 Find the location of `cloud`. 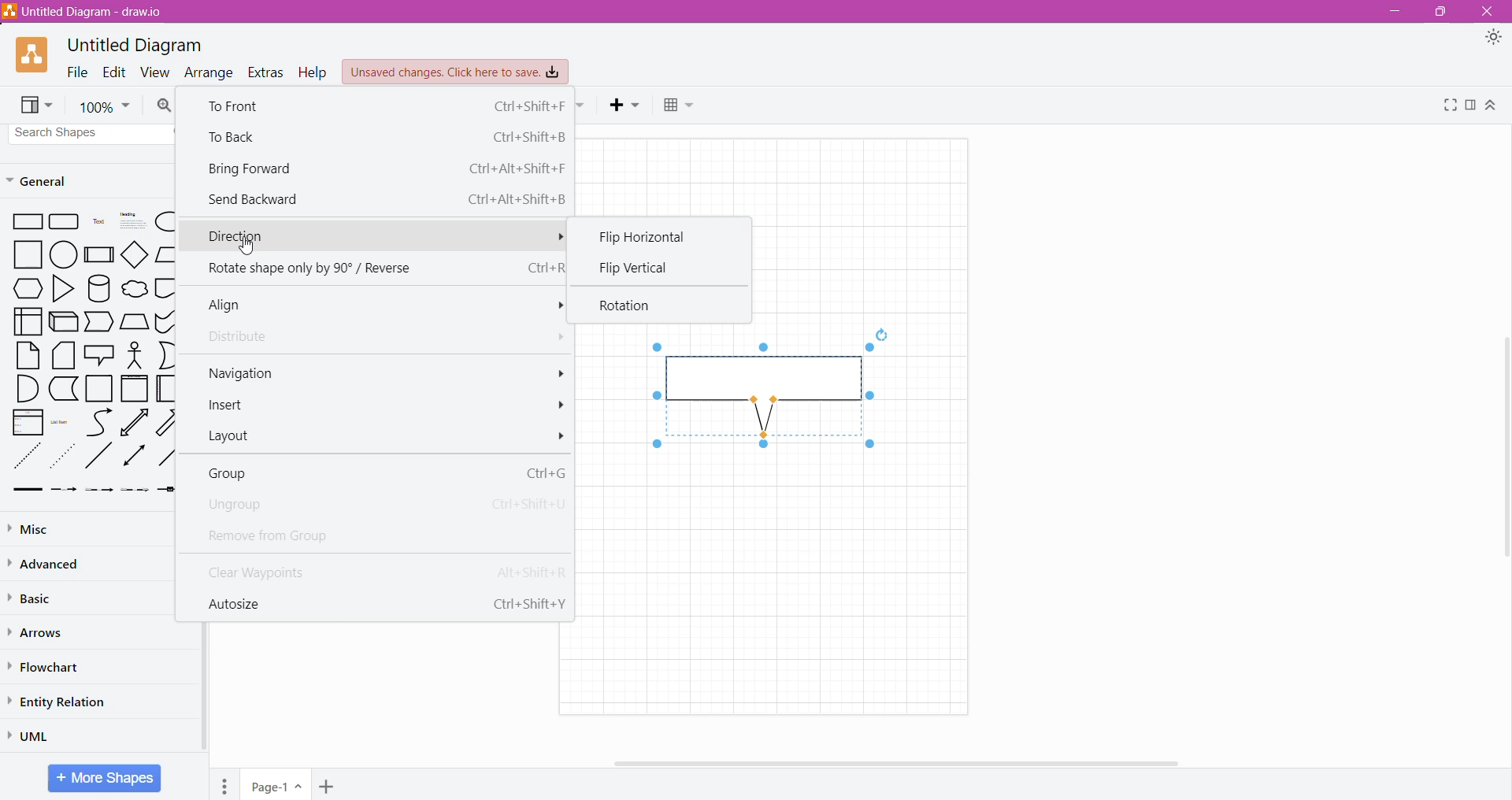

cloud is located at coordinates (133, 287).